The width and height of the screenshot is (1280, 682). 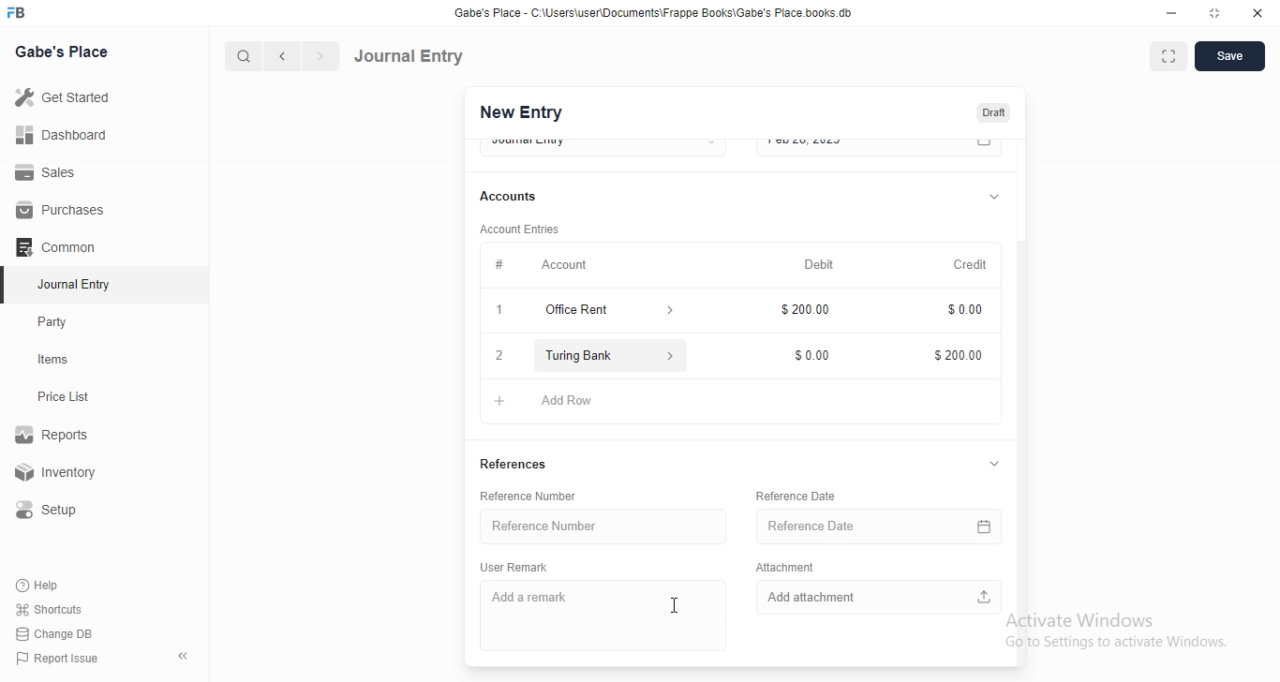 I want to click on $200.00, so click(x=802, y=311).